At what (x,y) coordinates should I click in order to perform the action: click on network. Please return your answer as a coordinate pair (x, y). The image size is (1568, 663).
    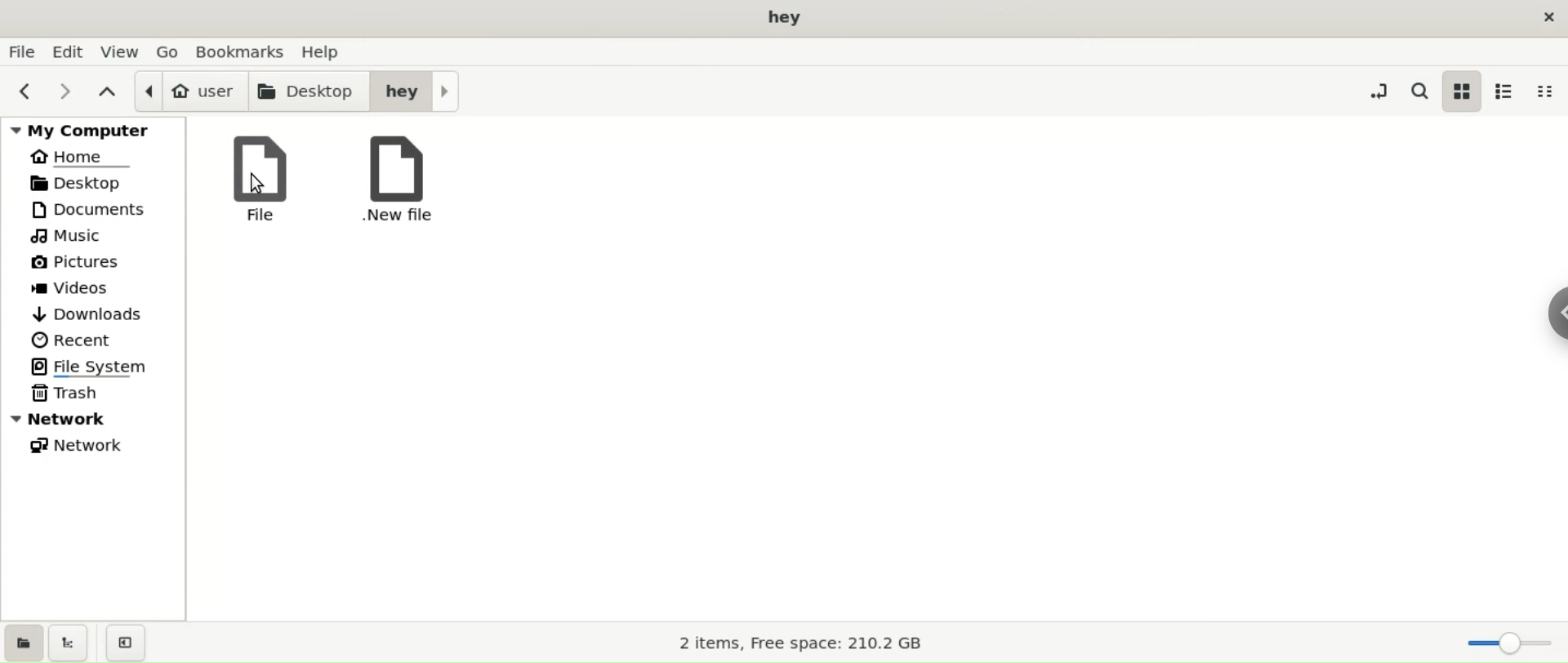
    Looking at the image, I should click on (92, 419).